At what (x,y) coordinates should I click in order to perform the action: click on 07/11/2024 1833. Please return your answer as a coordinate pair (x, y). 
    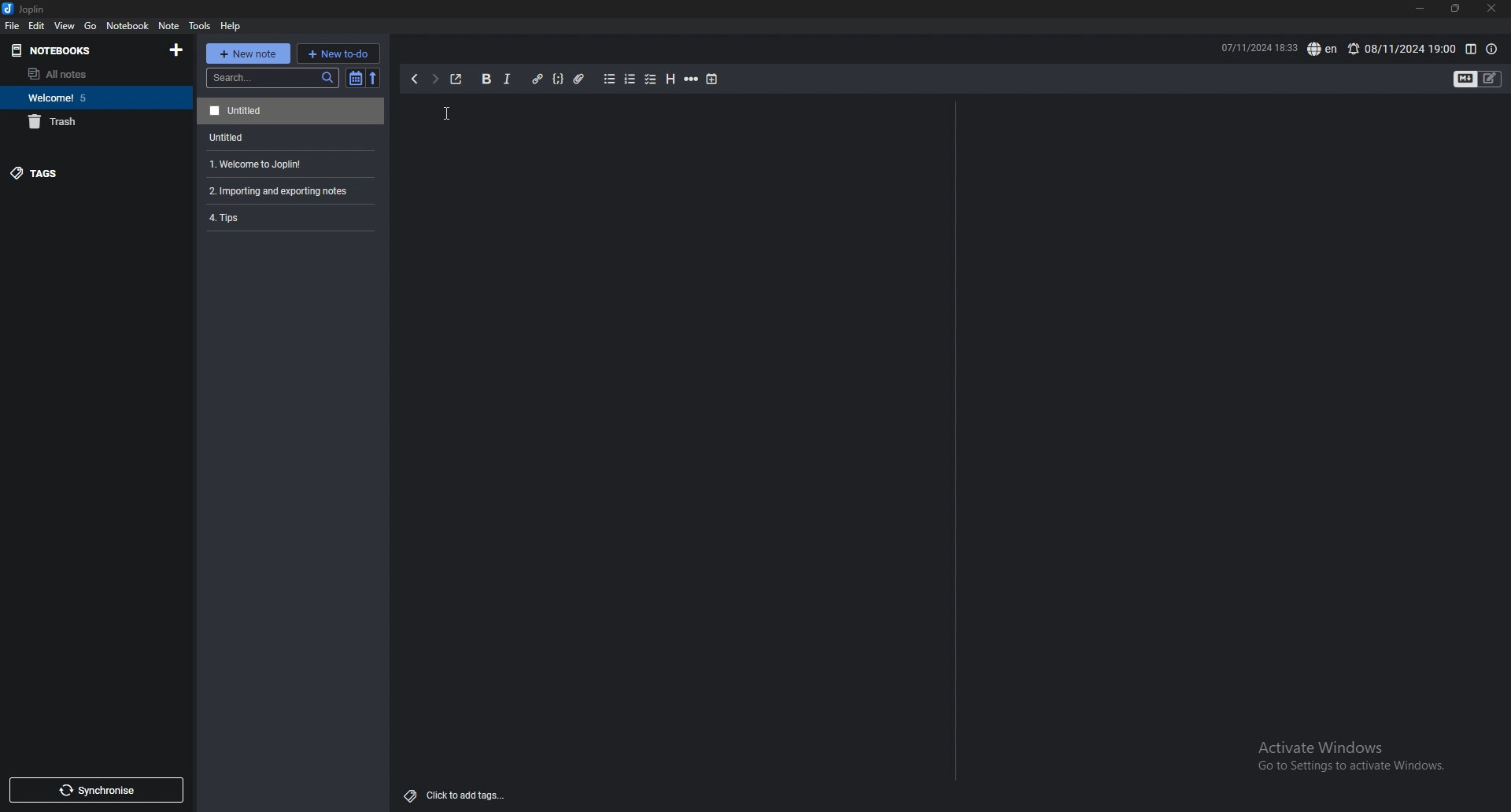
    Looking at the image, I should click on (1258, 47).